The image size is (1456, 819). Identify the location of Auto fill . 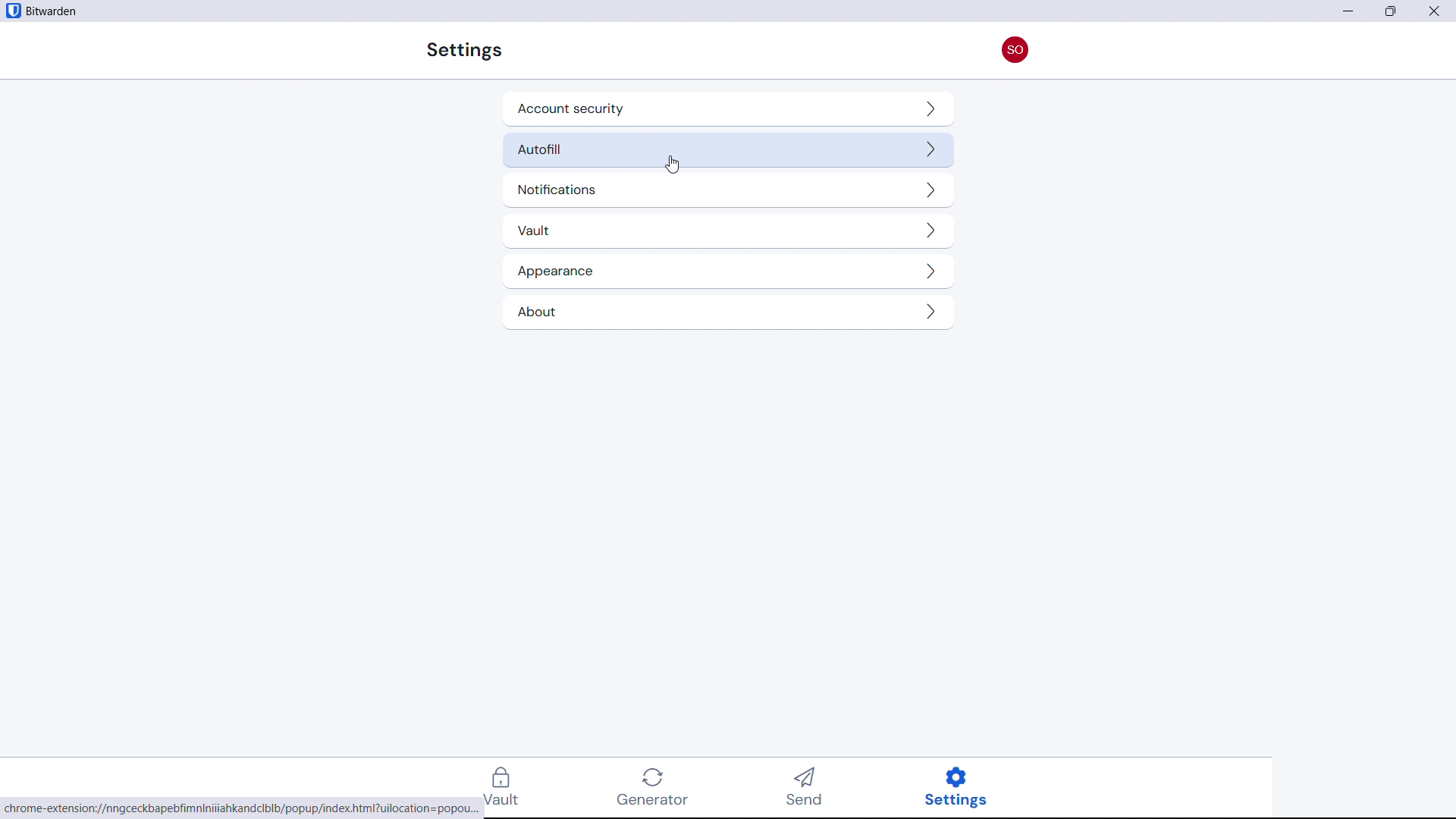
(727, 149).